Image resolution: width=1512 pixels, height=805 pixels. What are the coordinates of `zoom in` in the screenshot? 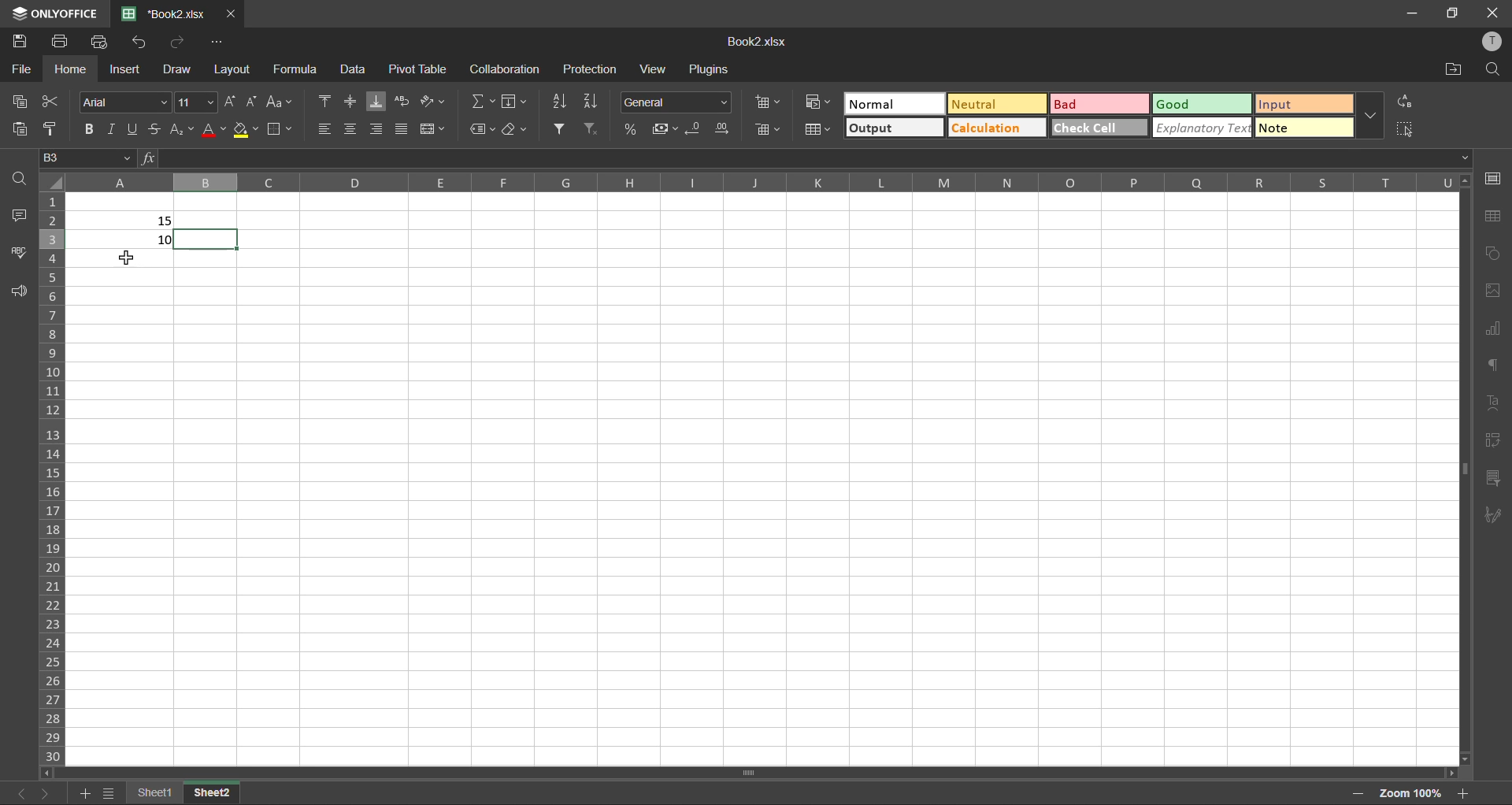 It's located at (1463, 793).